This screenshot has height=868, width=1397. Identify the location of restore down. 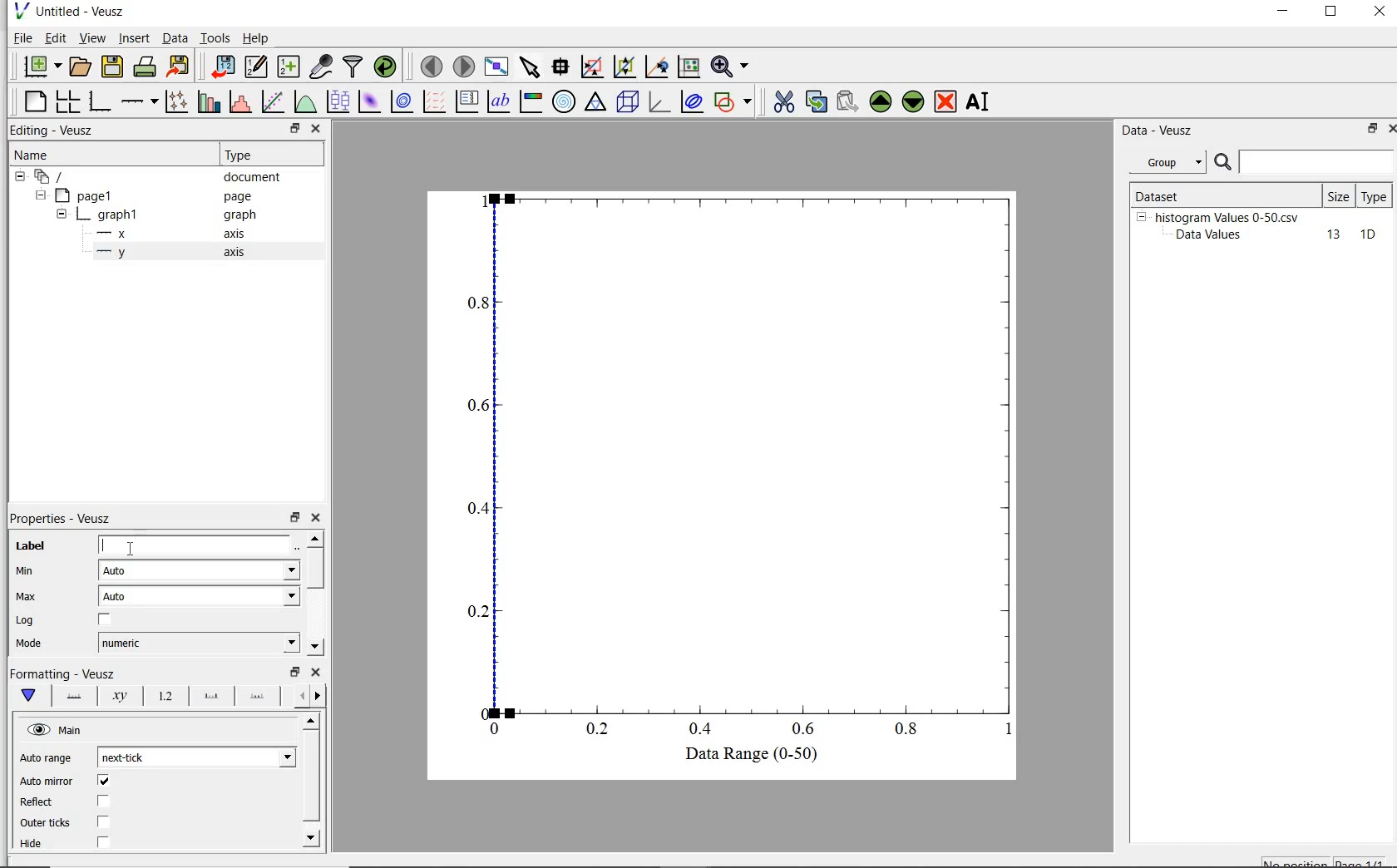
(294, 129).